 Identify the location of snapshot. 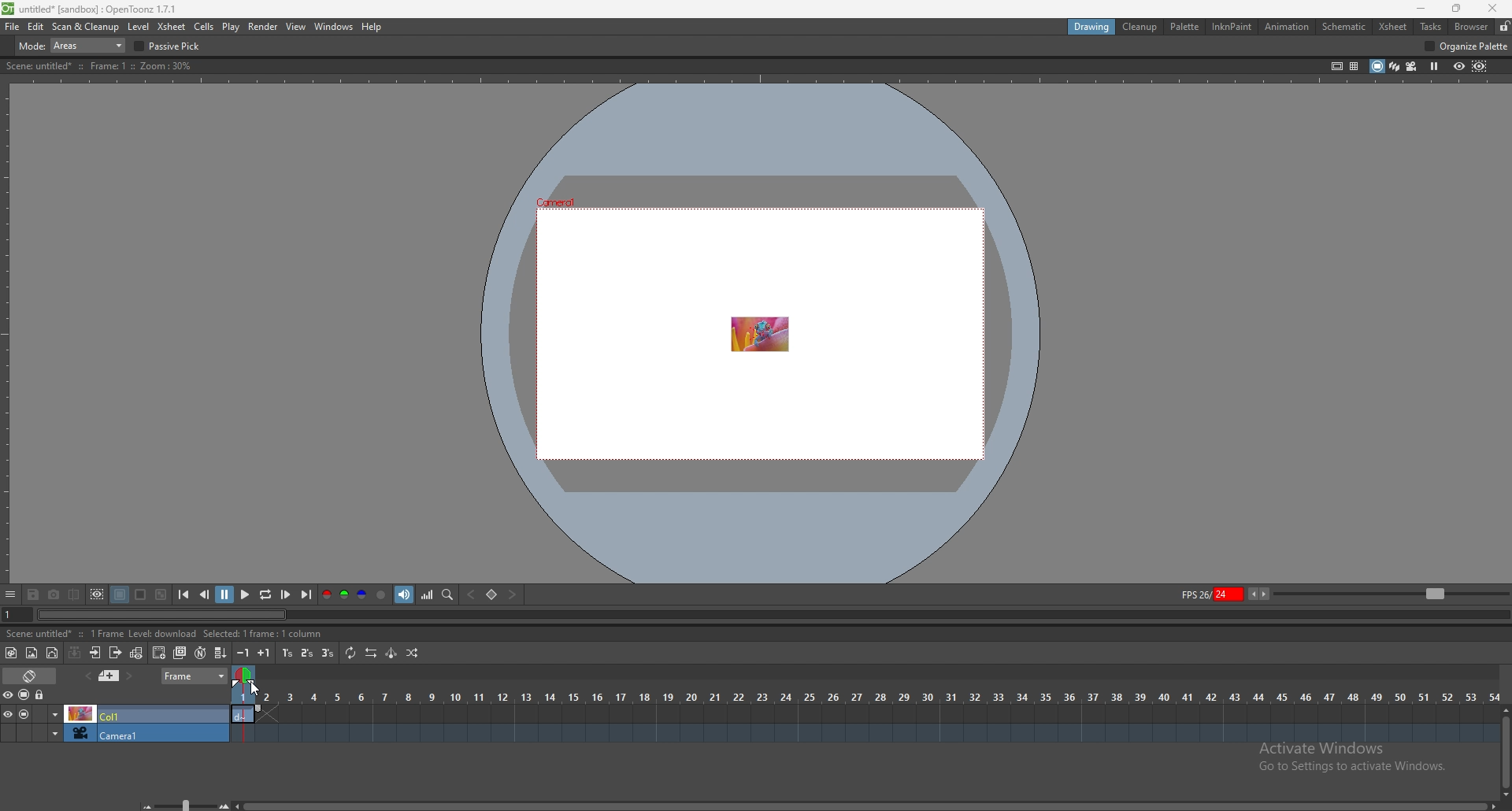
(54, 595).